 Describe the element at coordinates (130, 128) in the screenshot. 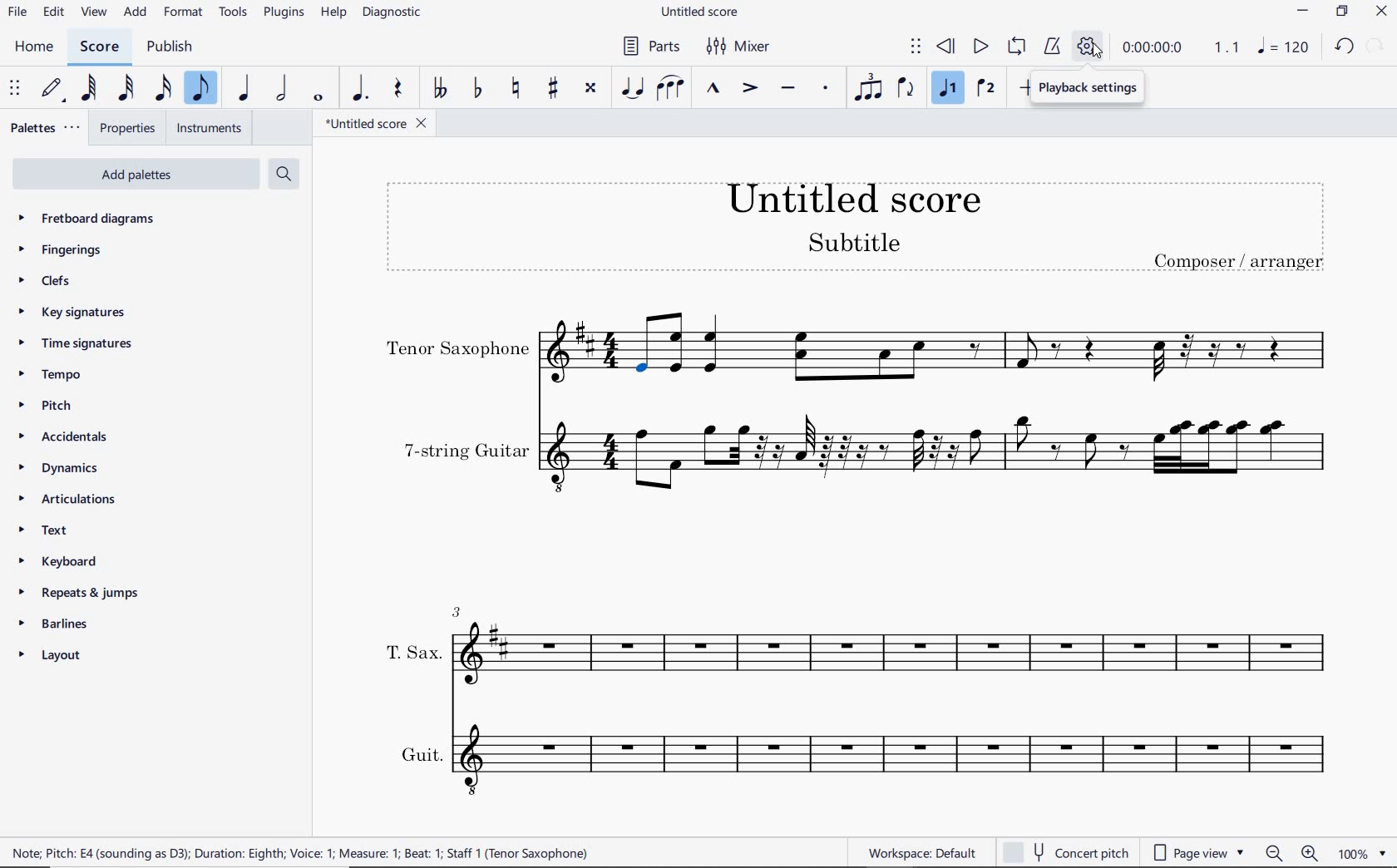

I see `PROPERTIES` at that location.